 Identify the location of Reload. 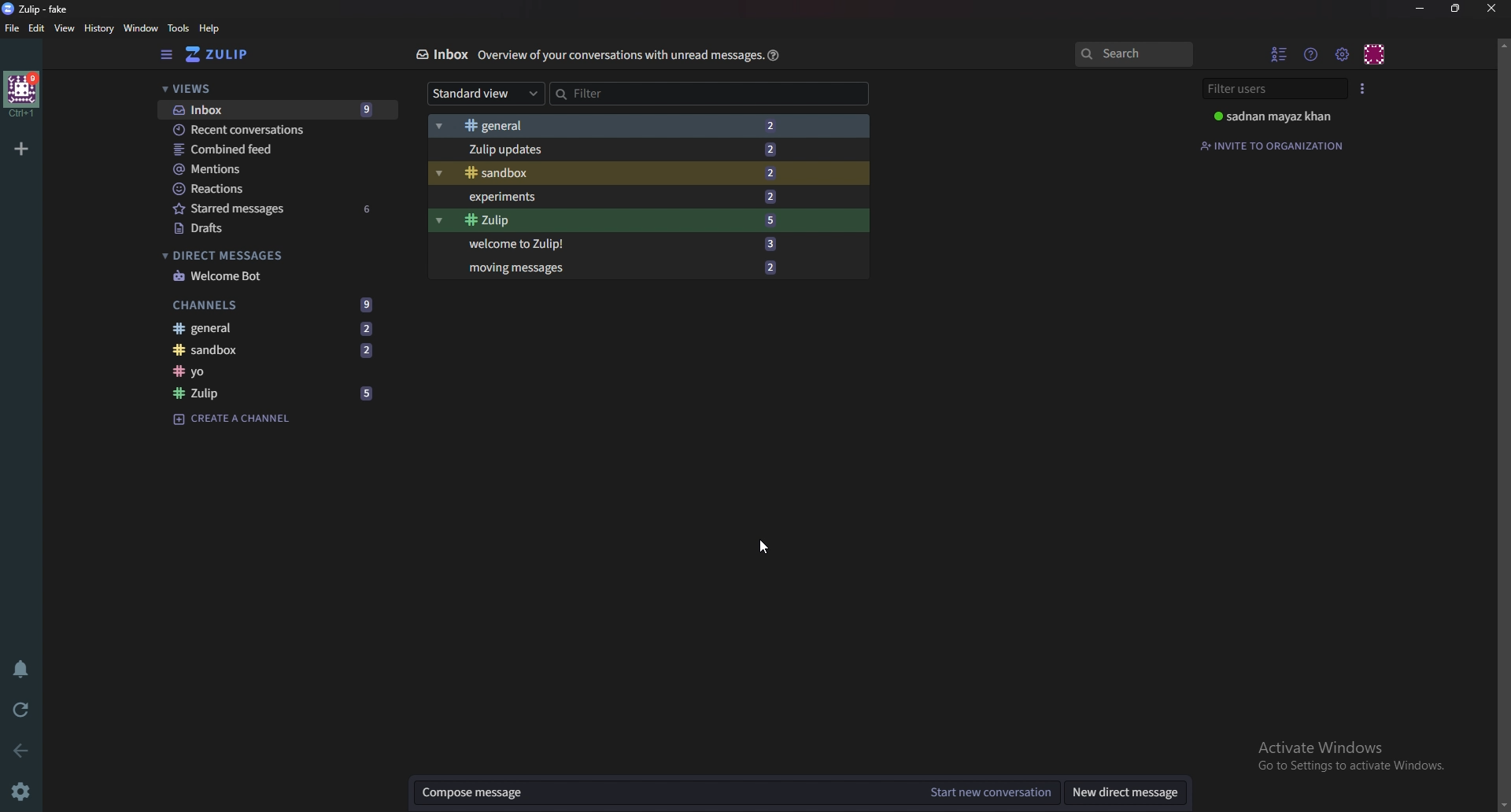
(19, 710).